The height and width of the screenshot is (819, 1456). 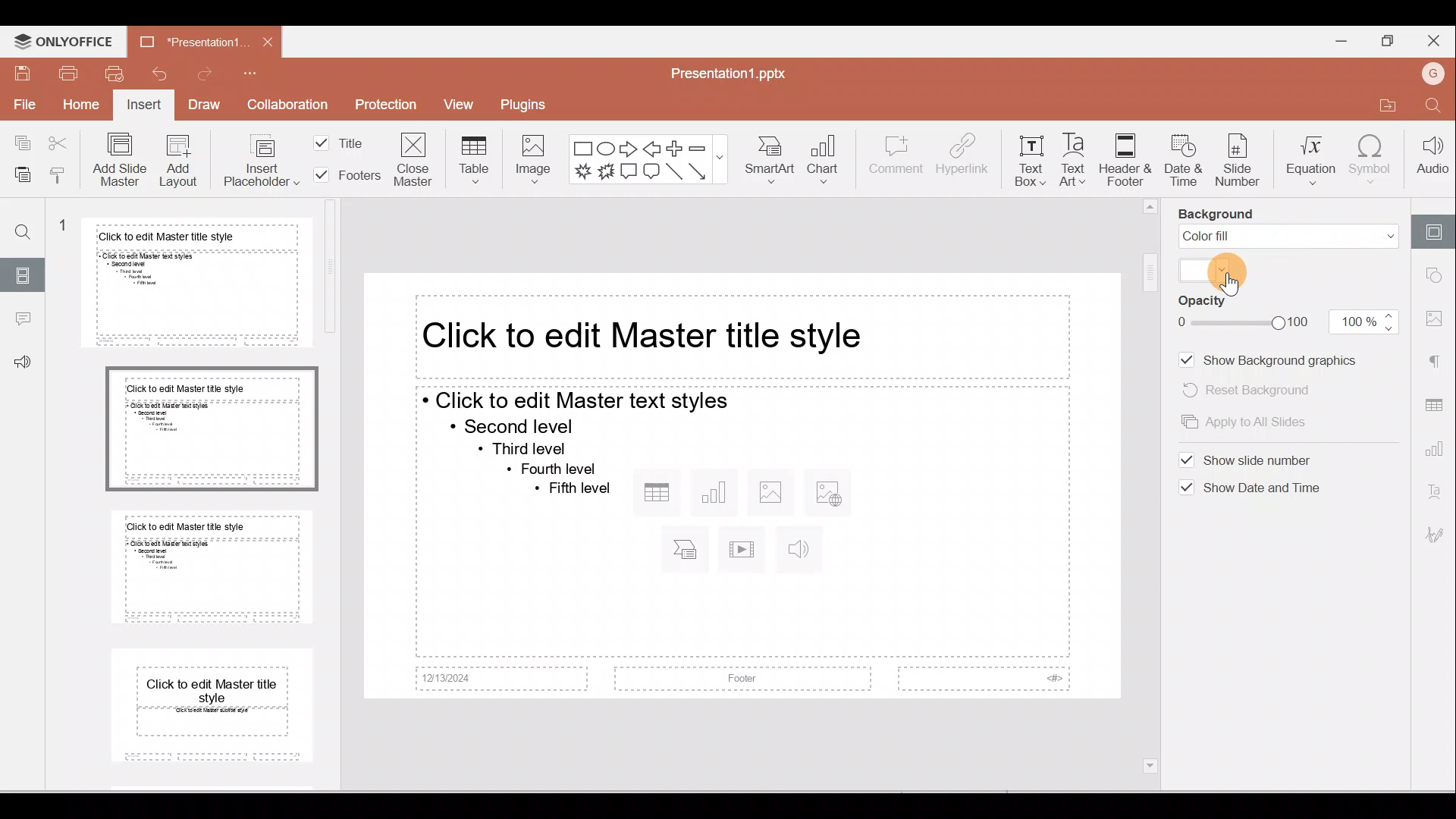 I want to click on Collaboration, so click(x=292, y=106).